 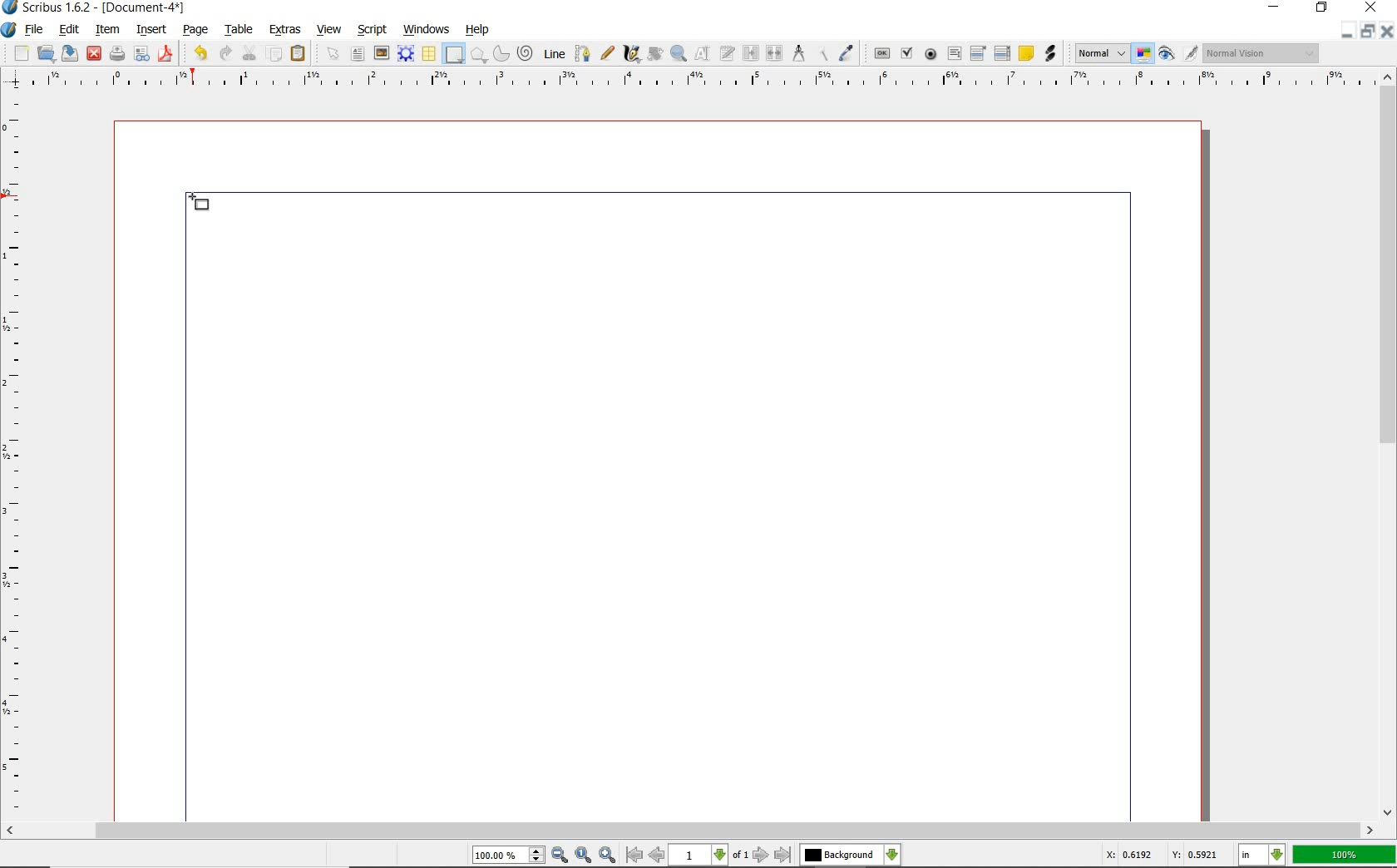 What do you see at coordinates (654, 55) in the screenshot?
I see `rotate item` at bounding box center [654, 55].